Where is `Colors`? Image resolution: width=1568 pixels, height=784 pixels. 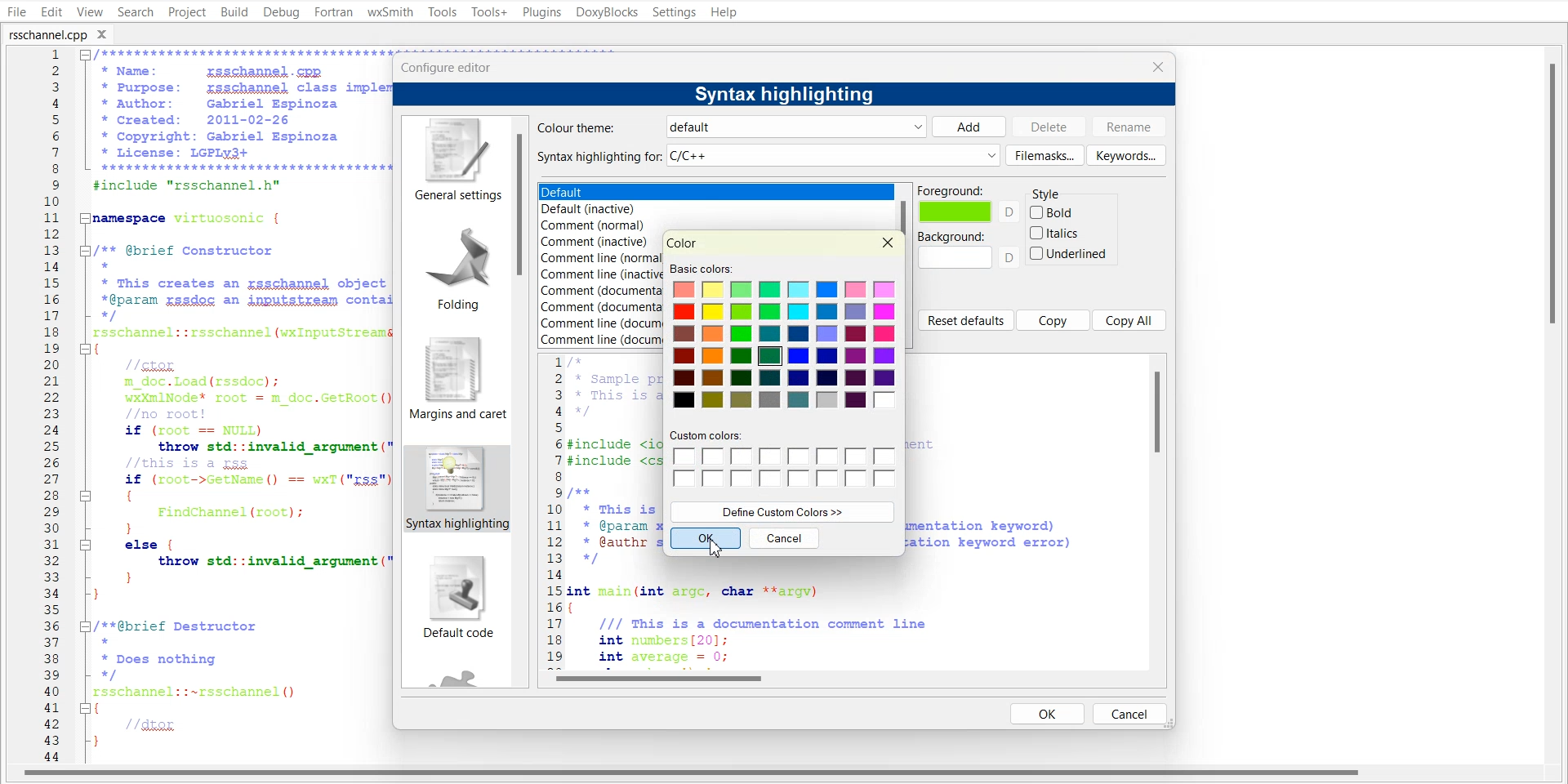
Colors is located at coordinates (787, 345).